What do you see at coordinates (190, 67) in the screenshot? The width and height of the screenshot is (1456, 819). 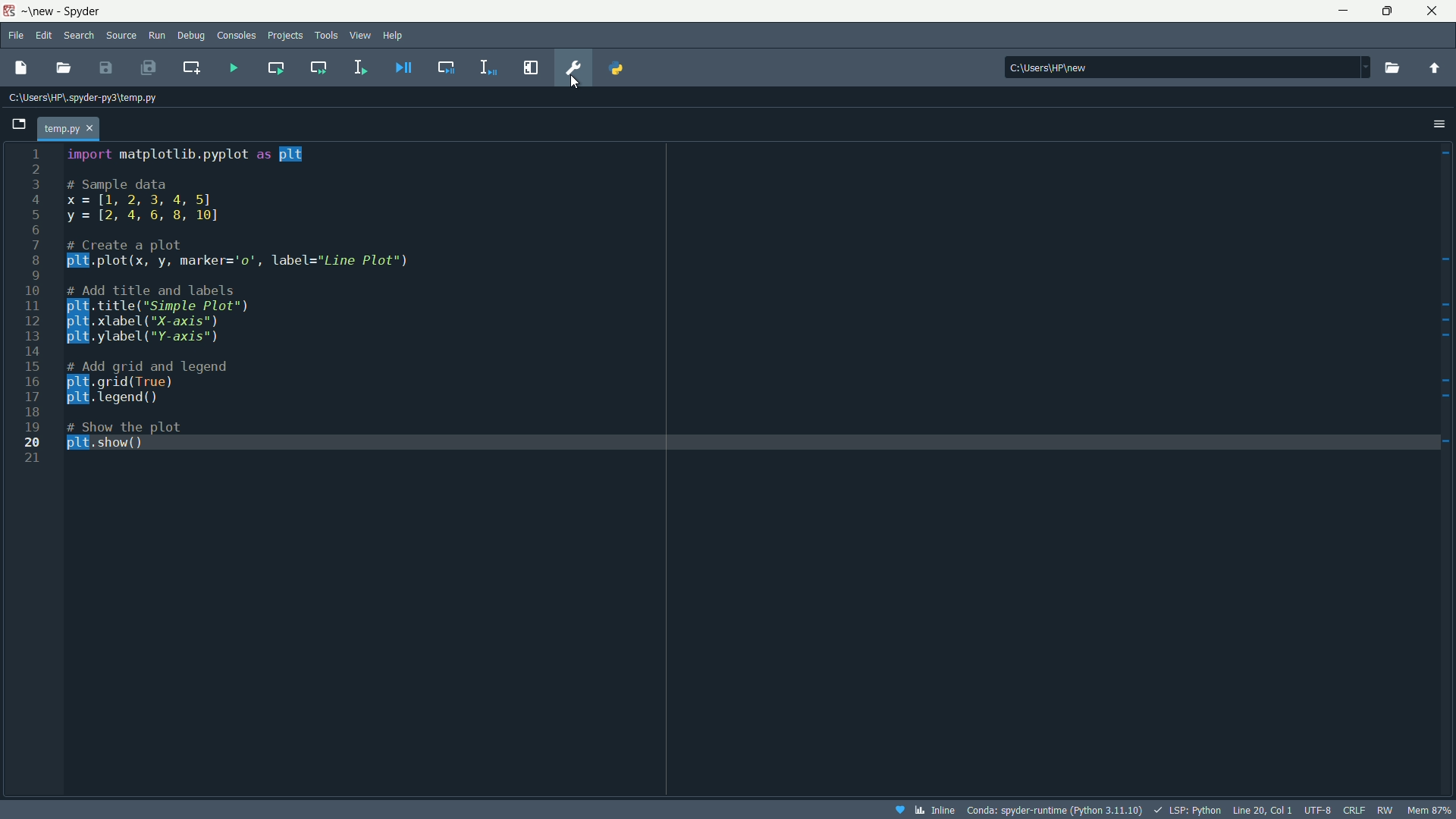 I see `add cell to current line` at bounding box center [190, 67].